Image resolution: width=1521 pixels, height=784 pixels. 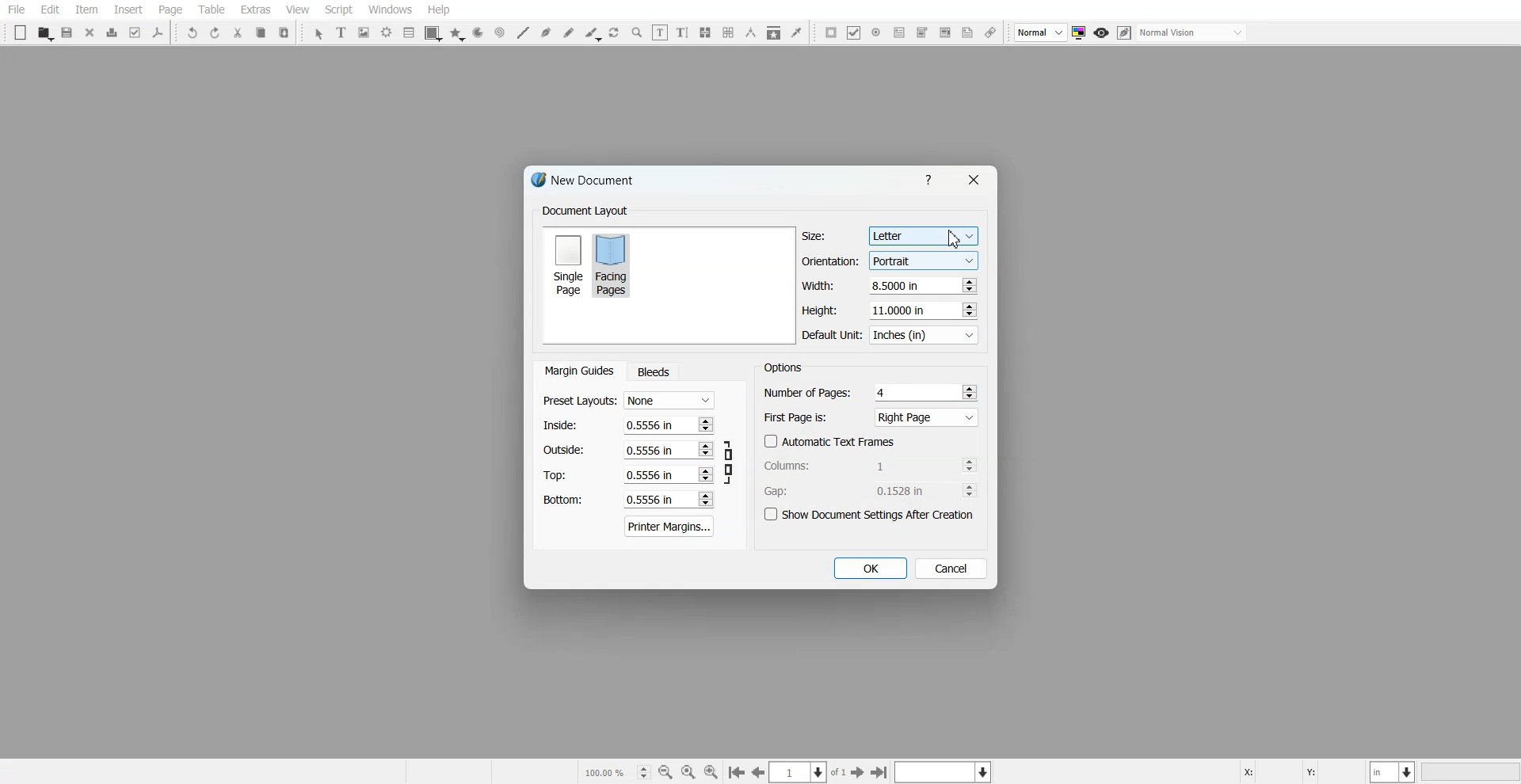 I want to click on Copy Item Properties, so click(x=774, y=32).